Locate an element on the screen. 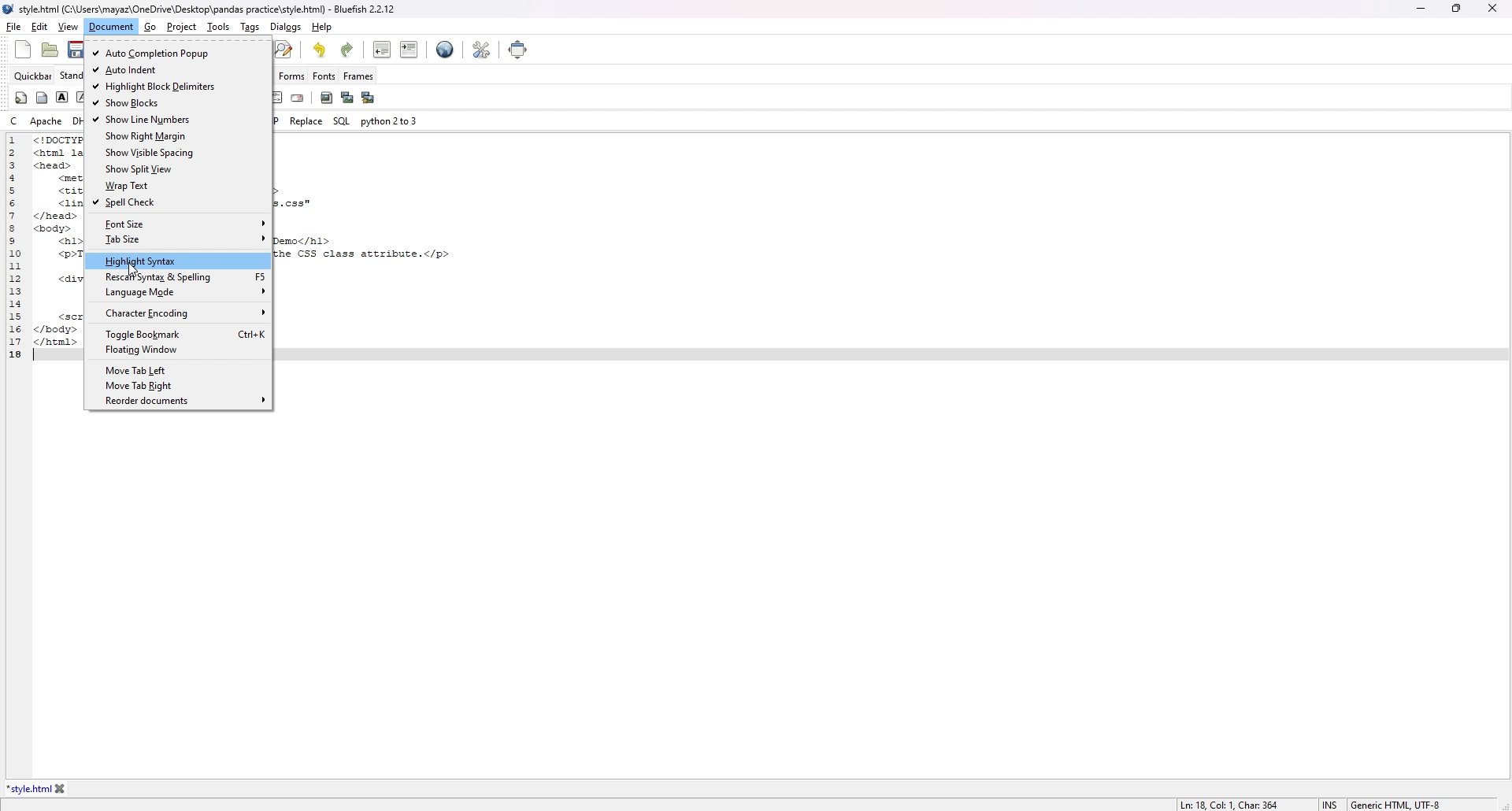 The height and width of the screenshot is (811, 1512). show right margin is located at coordinates (176, 135).